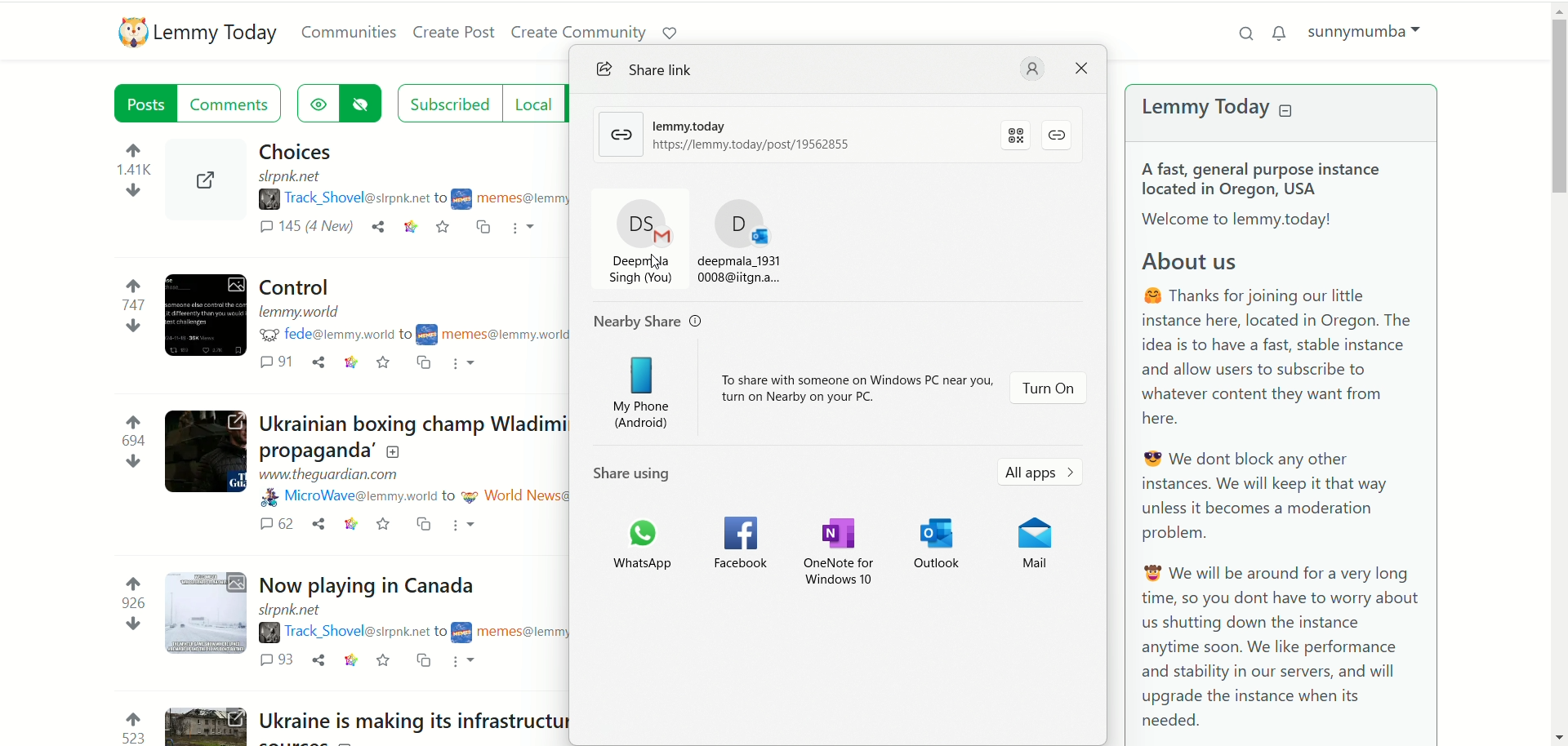  Describe the element at coordinates (131, 605) in the screenshot. I see `votes up and down` at that location.